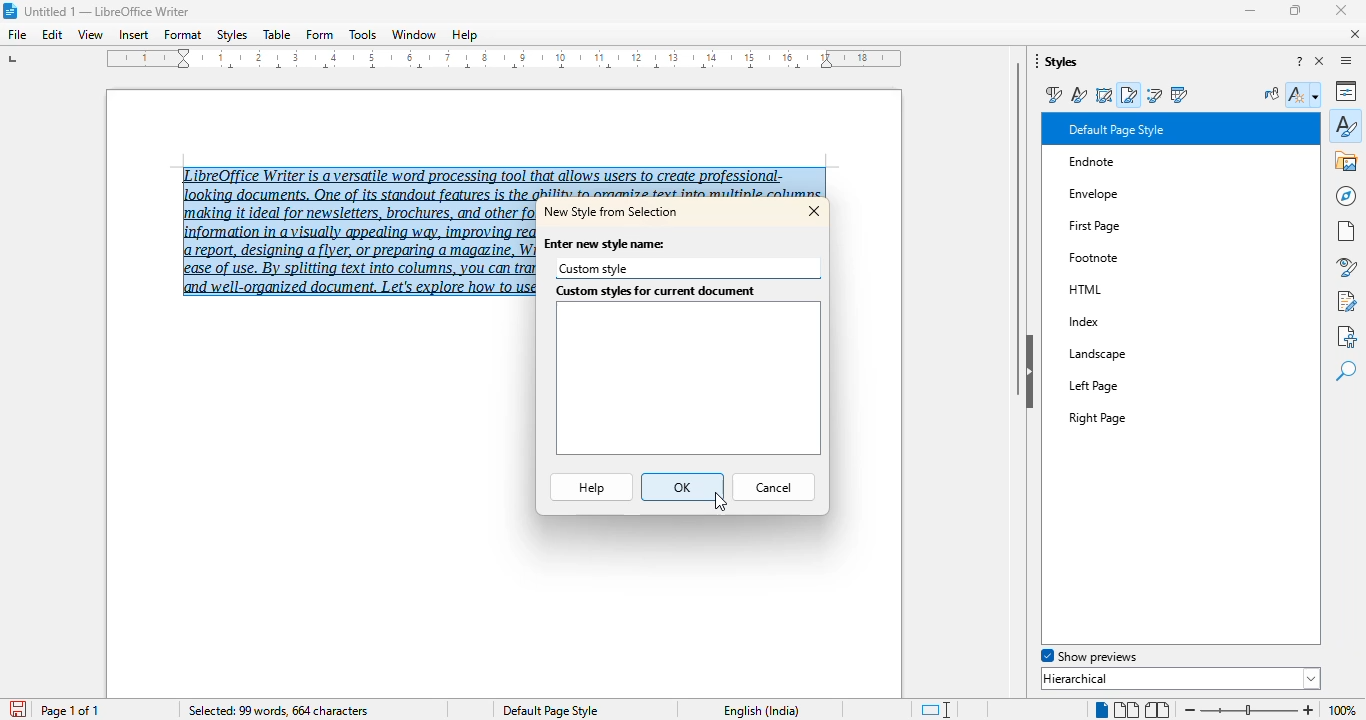  What do you see at coordinates (1345, 197) in the screenshot?
I see `navigator` at bounding box center [1345, 197].